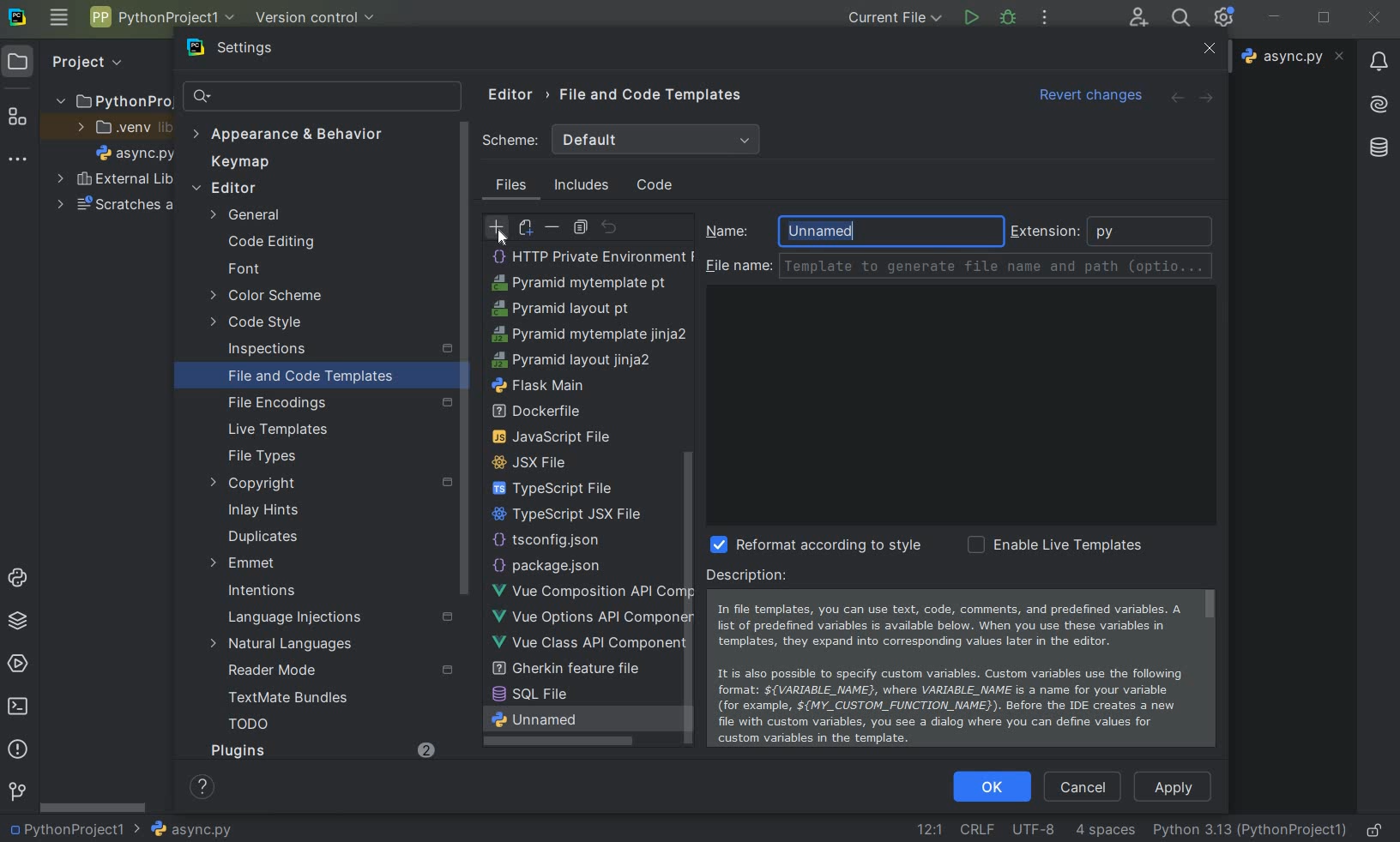 The height and width of the screenshot is (842, 1400). Describe the element at coordinates (584, 226) in the screenshot. I see `copy template` at that location.